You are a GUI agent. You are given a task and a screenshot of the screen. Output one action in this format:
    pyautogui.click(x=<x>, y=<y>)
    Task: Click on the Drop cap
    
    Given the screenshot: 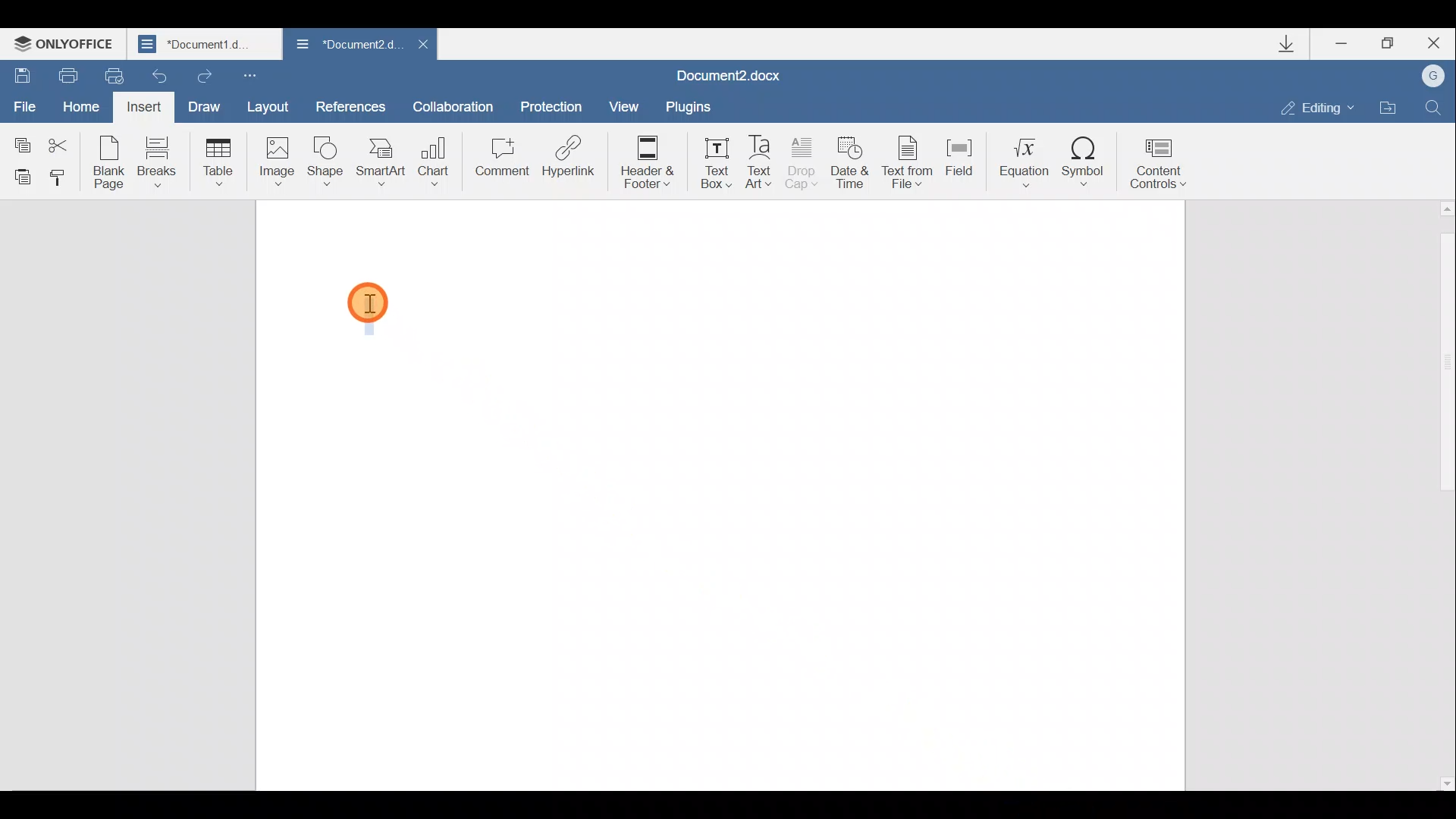 What is the action you would take?
    pyautogui.click(x=802, y=165)
    